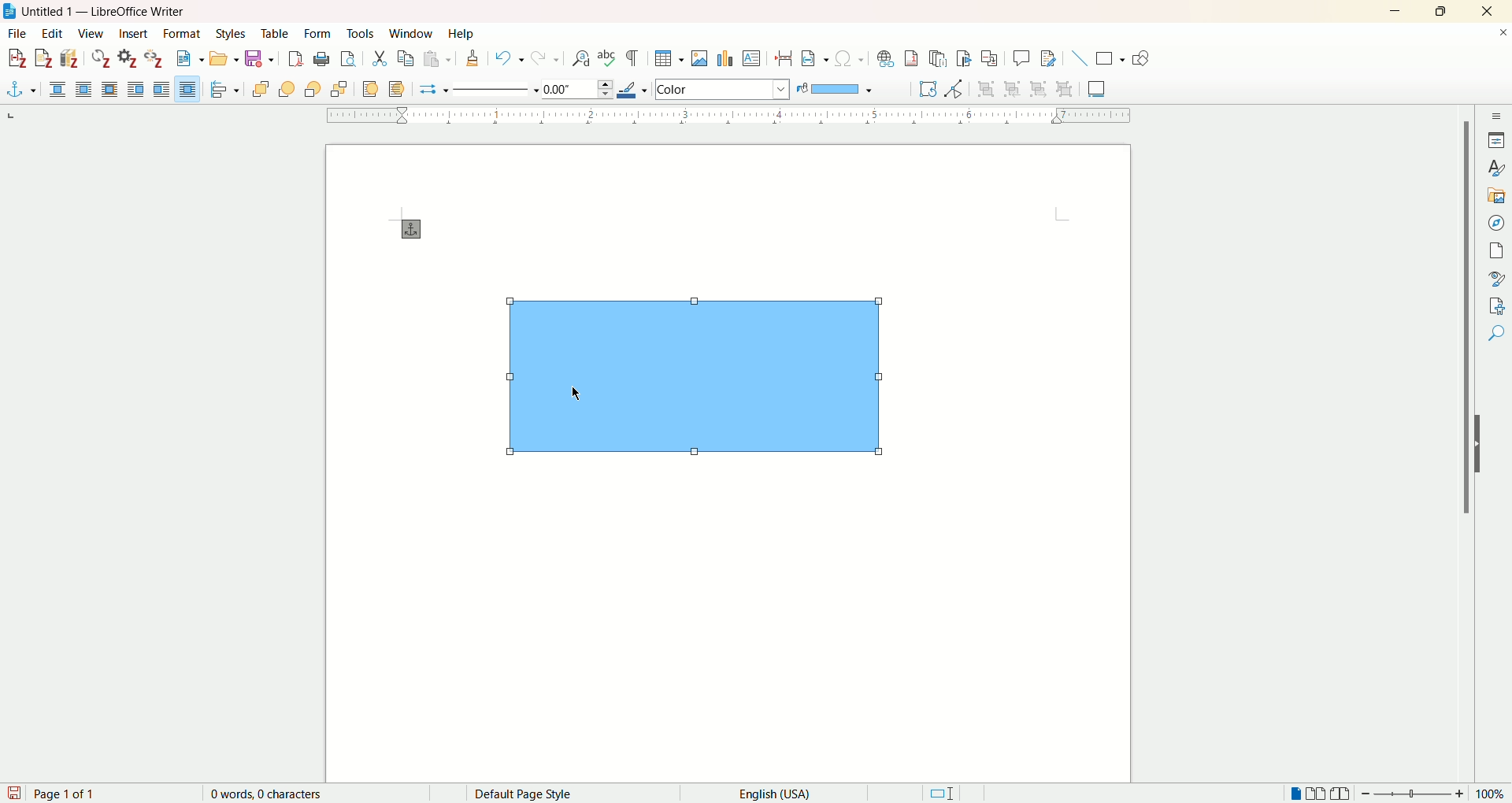 Image resolution: width=1512 pixels, height=803 pixels. What do you see at coordinates (271, 794) in the screenshot?
I see `0 words, 0 characters` at bounding box center [271, 794].